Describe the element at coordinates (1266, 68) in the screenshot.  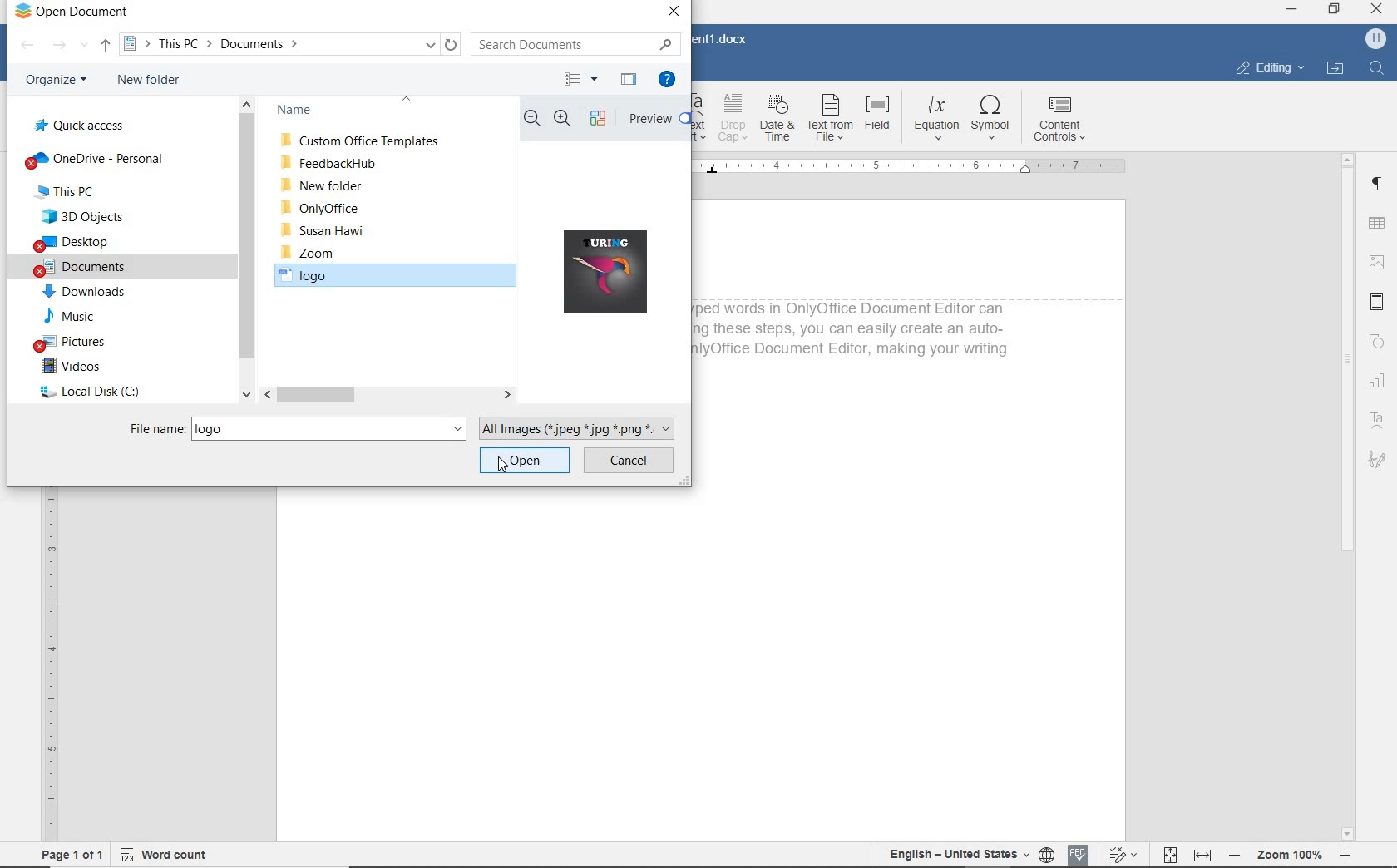
I see `Editing` at that location.